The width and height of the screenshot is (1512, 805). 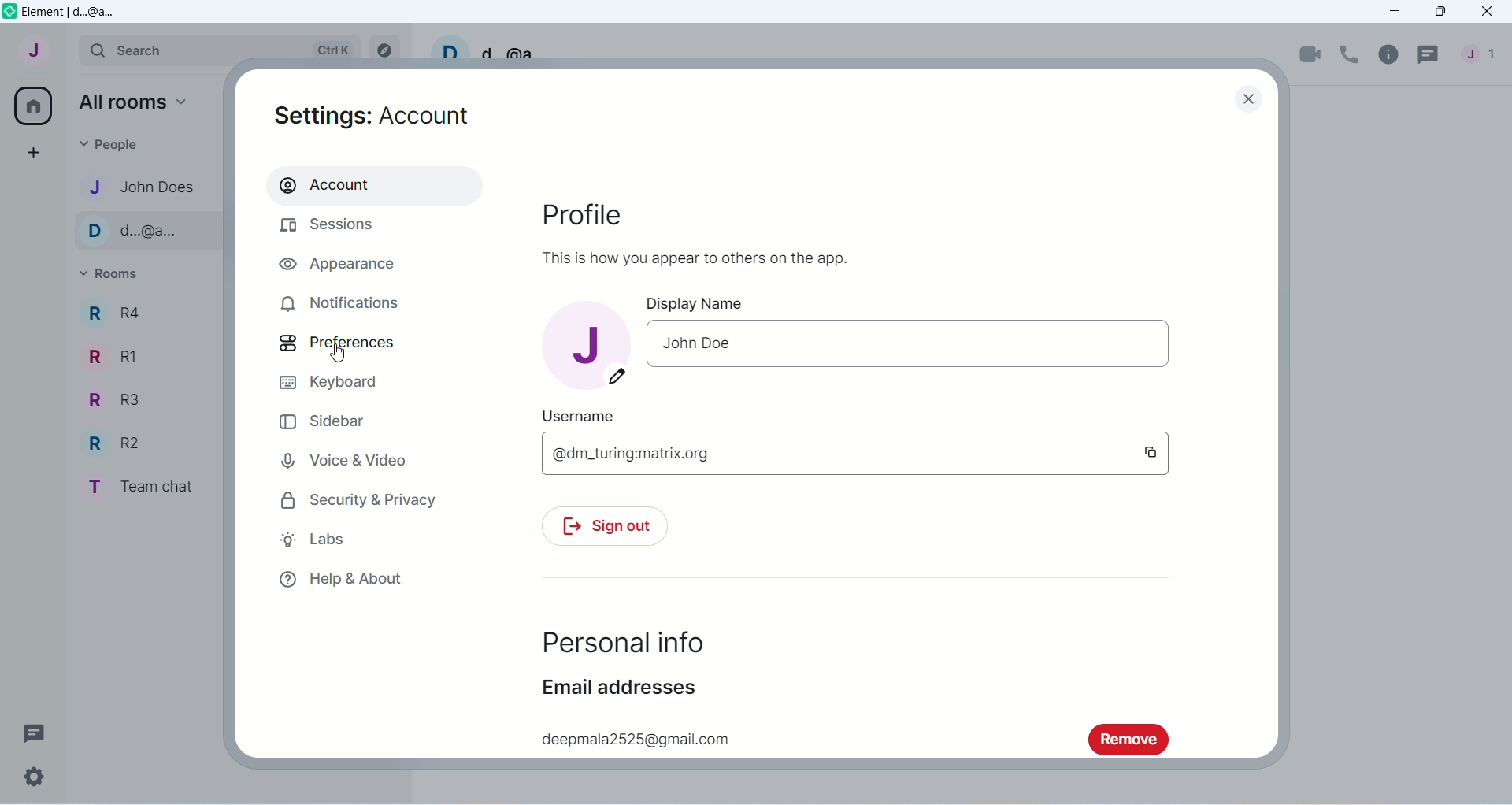 I want to click on Voice and Video, so click(x=354, y=456).